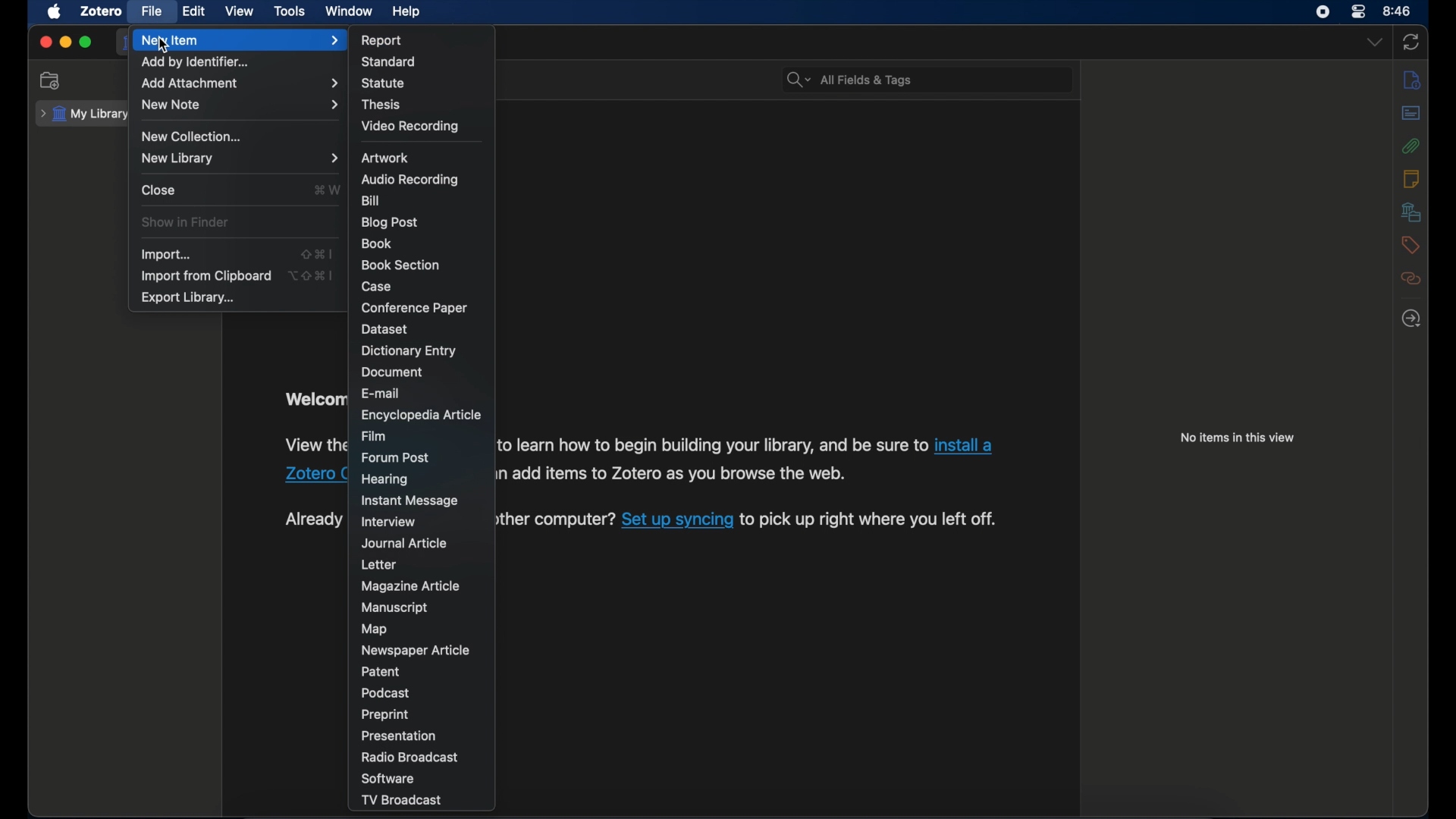 The image size is (1456, 819). What do you see at coordinates (409, 501) in the screenshot?
I see `instant message` at bounding box center [409, 501].